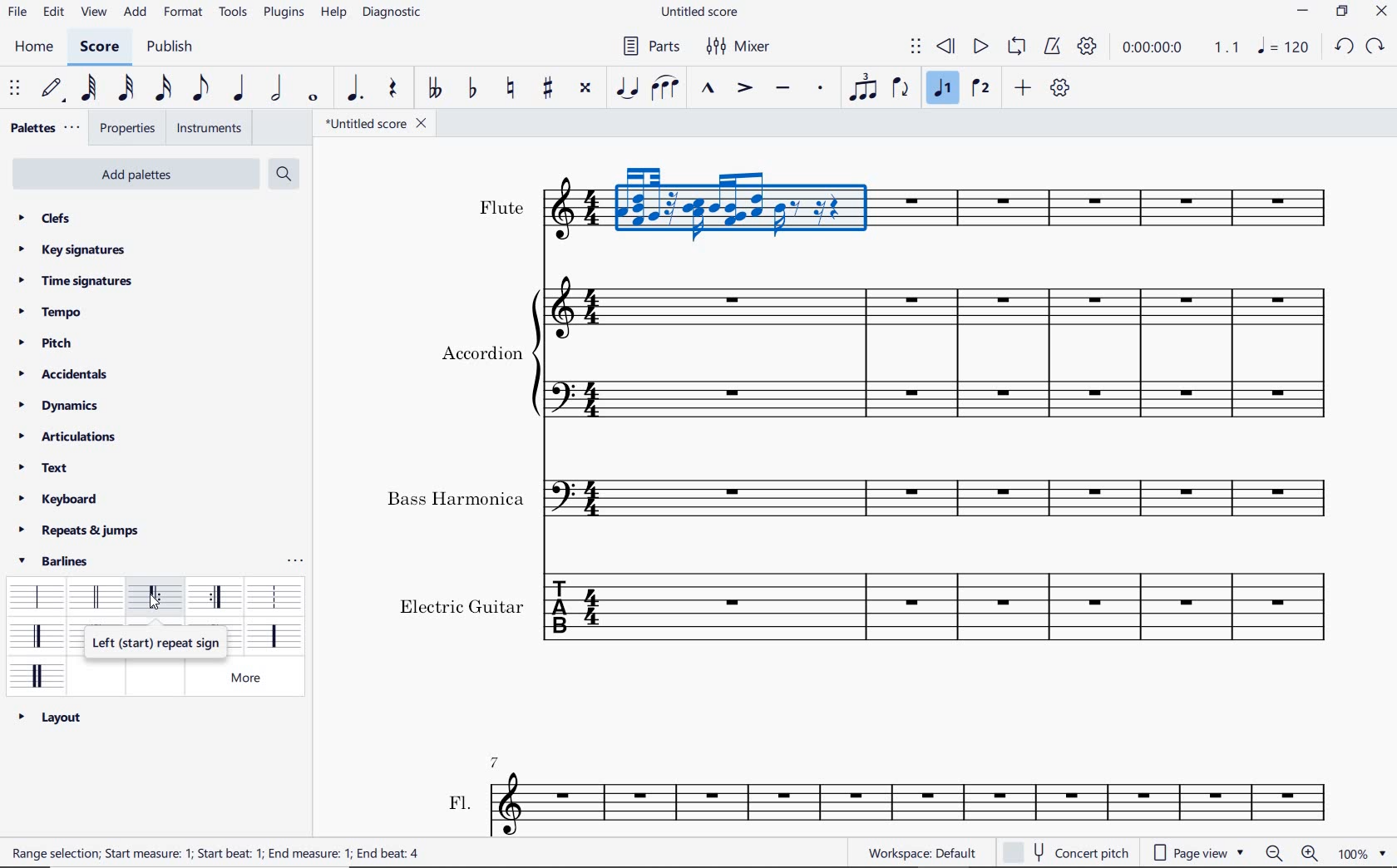  Describe the element at coordinates (37, 635) in the screenshot. I see `final barline` at that location.